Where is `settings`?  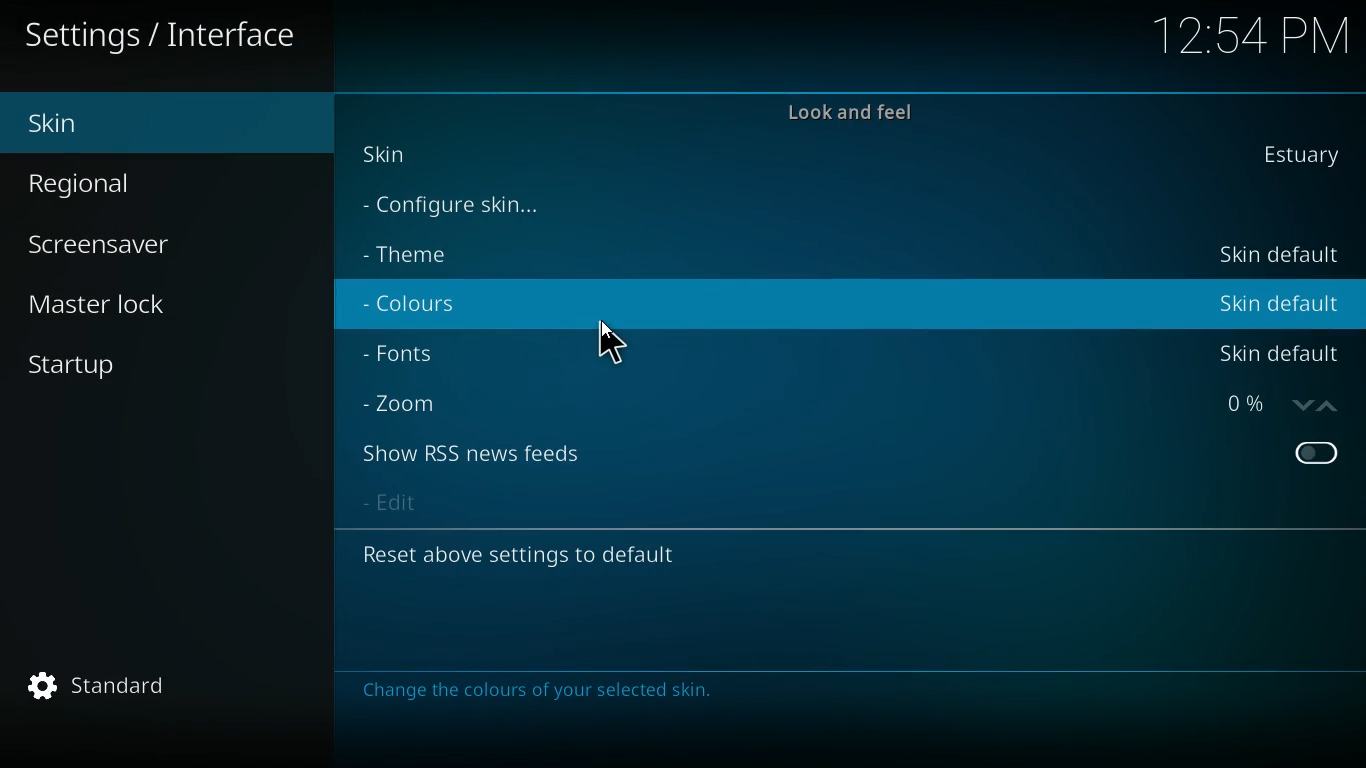 settings is located at coordinates (166, 37).